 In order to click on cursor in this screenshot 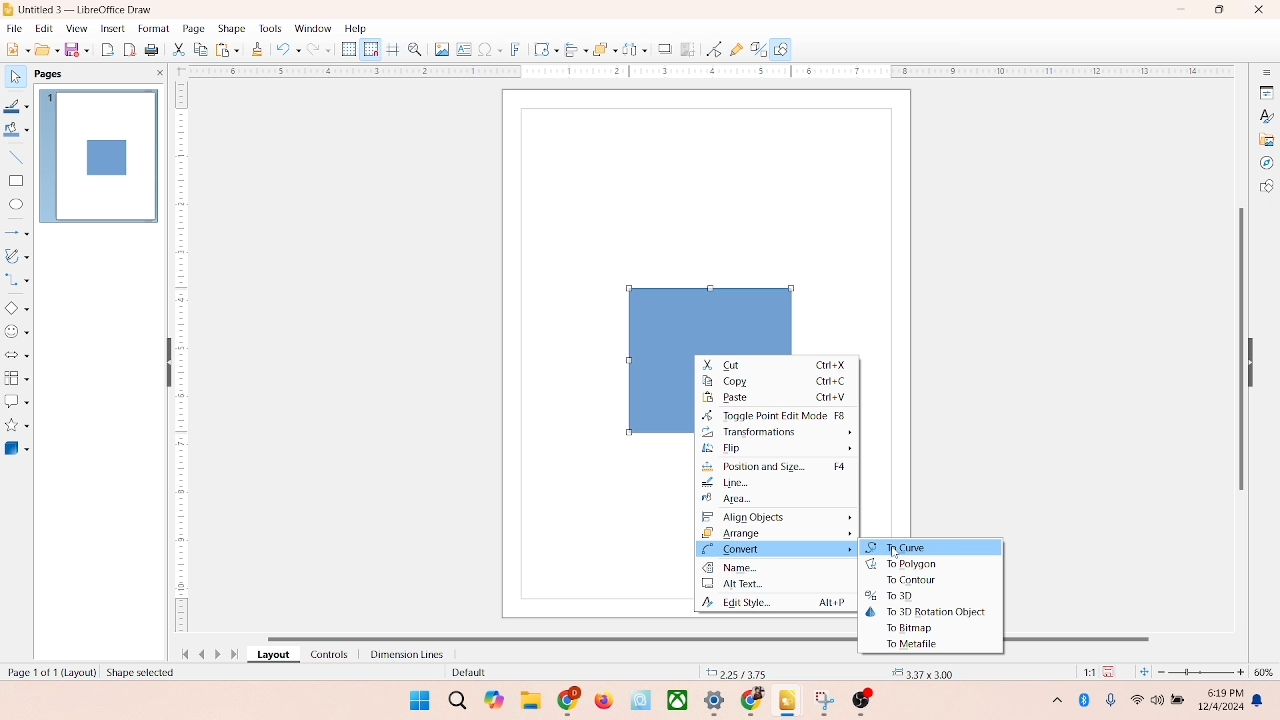, I will do `click(896, 552)`.